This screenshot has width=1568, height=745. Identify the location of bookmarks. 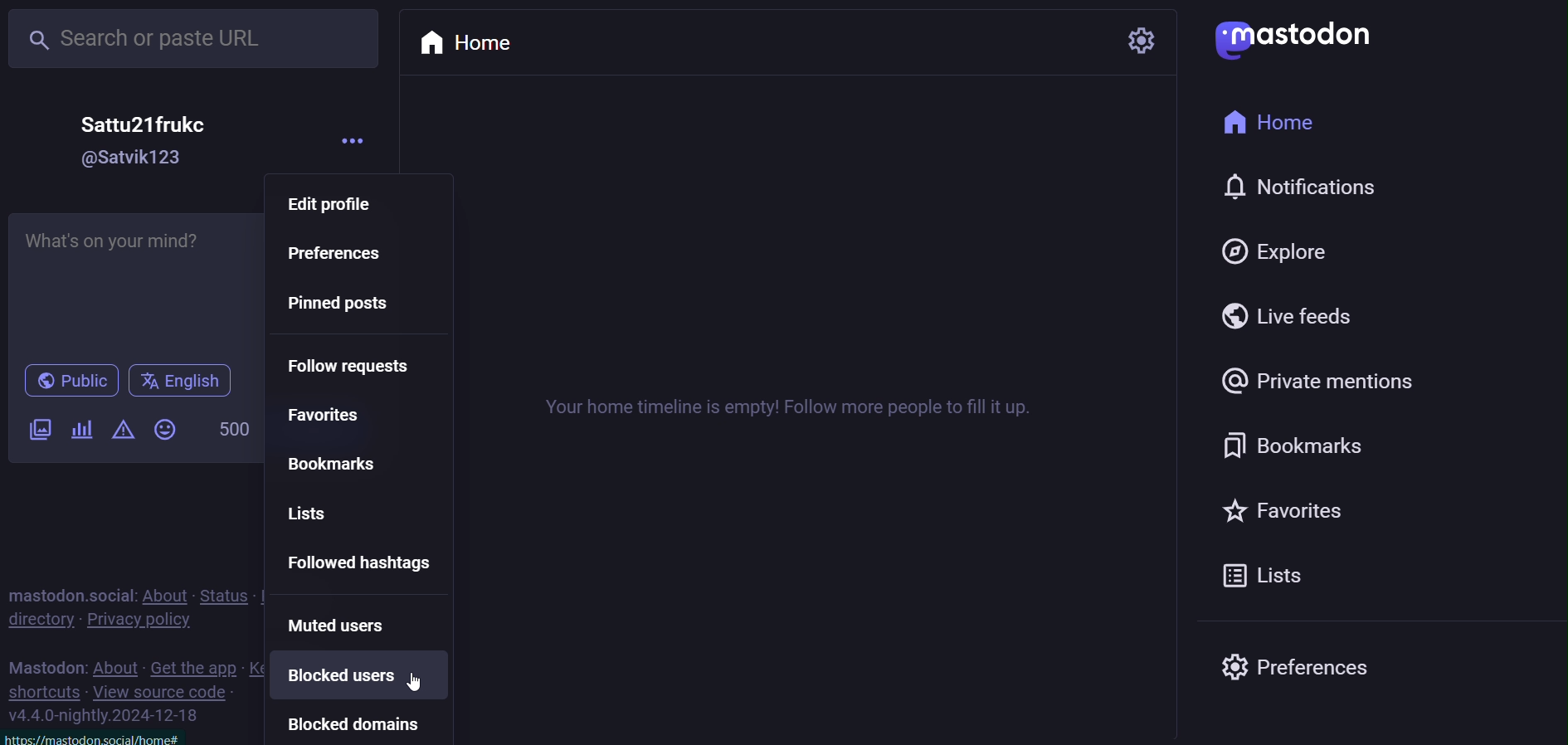
(1320, 448).